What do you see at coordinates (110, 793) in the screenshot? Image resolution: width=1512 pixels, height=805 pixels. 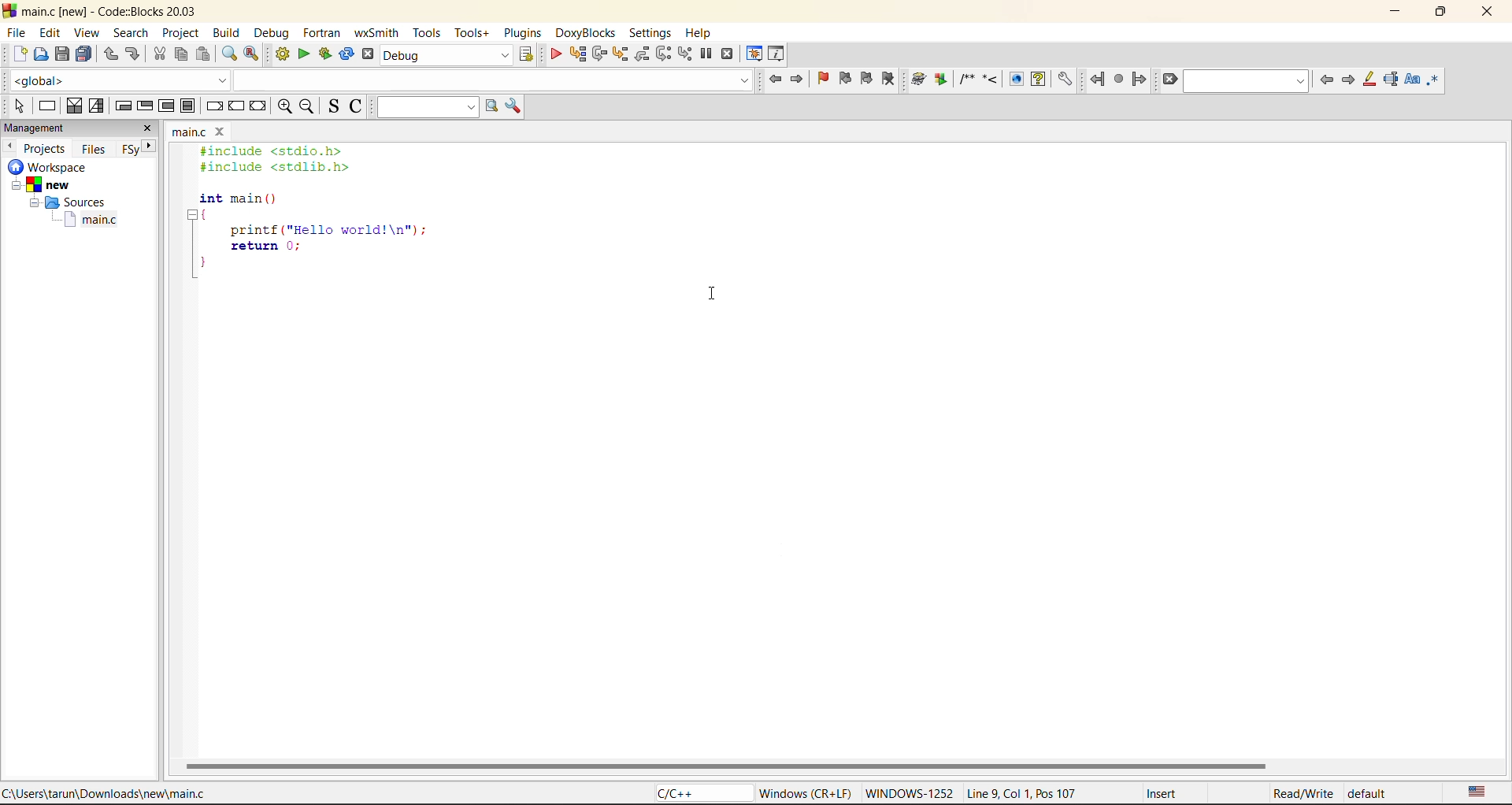 I see `C:\Users\tarun\Downloads\new\main.c` at bounding box center [110, 793].